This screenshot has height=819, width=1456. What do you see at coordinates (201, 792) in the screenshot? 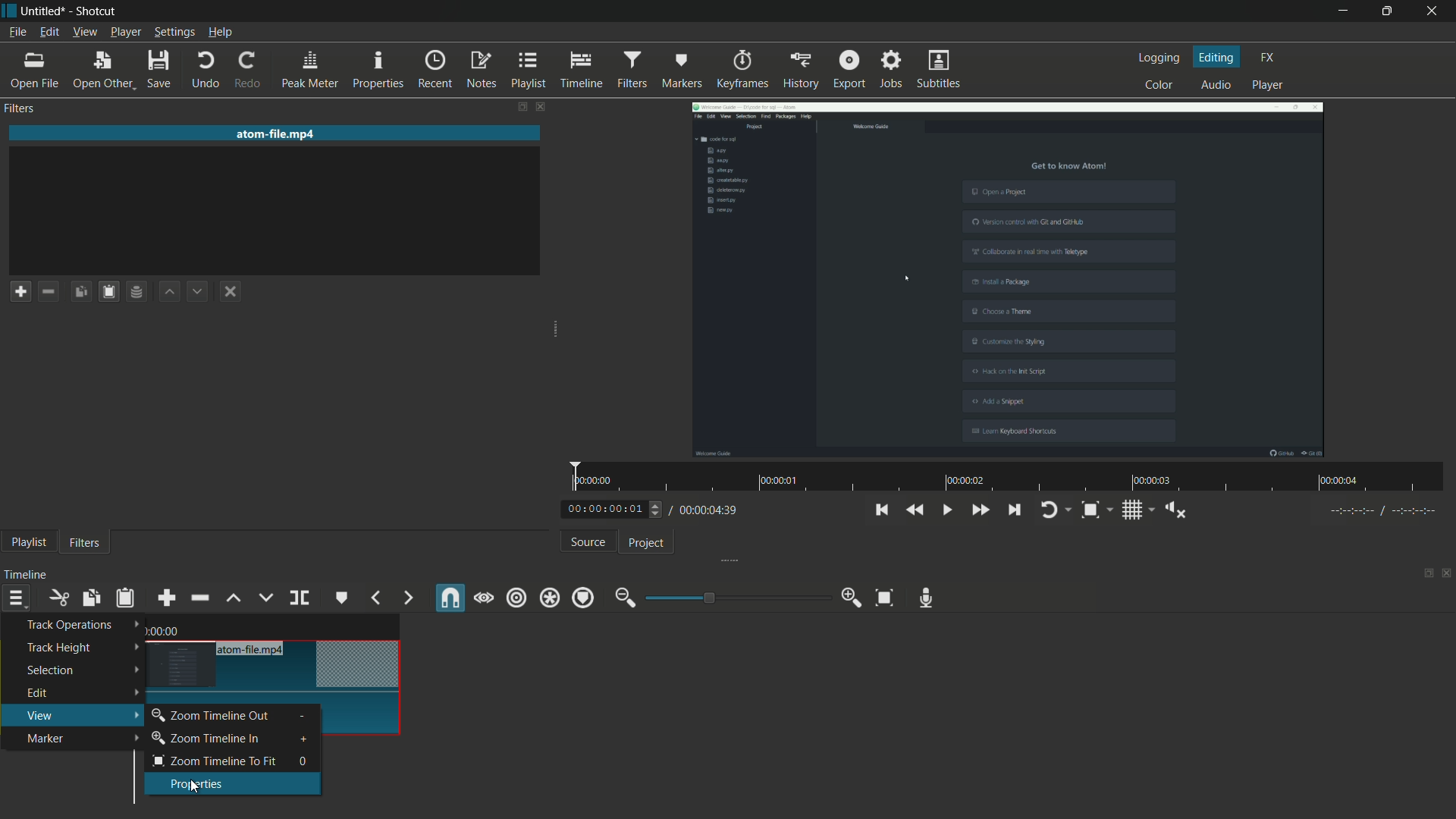
I see `cursor` at bounding box center [201, 792].